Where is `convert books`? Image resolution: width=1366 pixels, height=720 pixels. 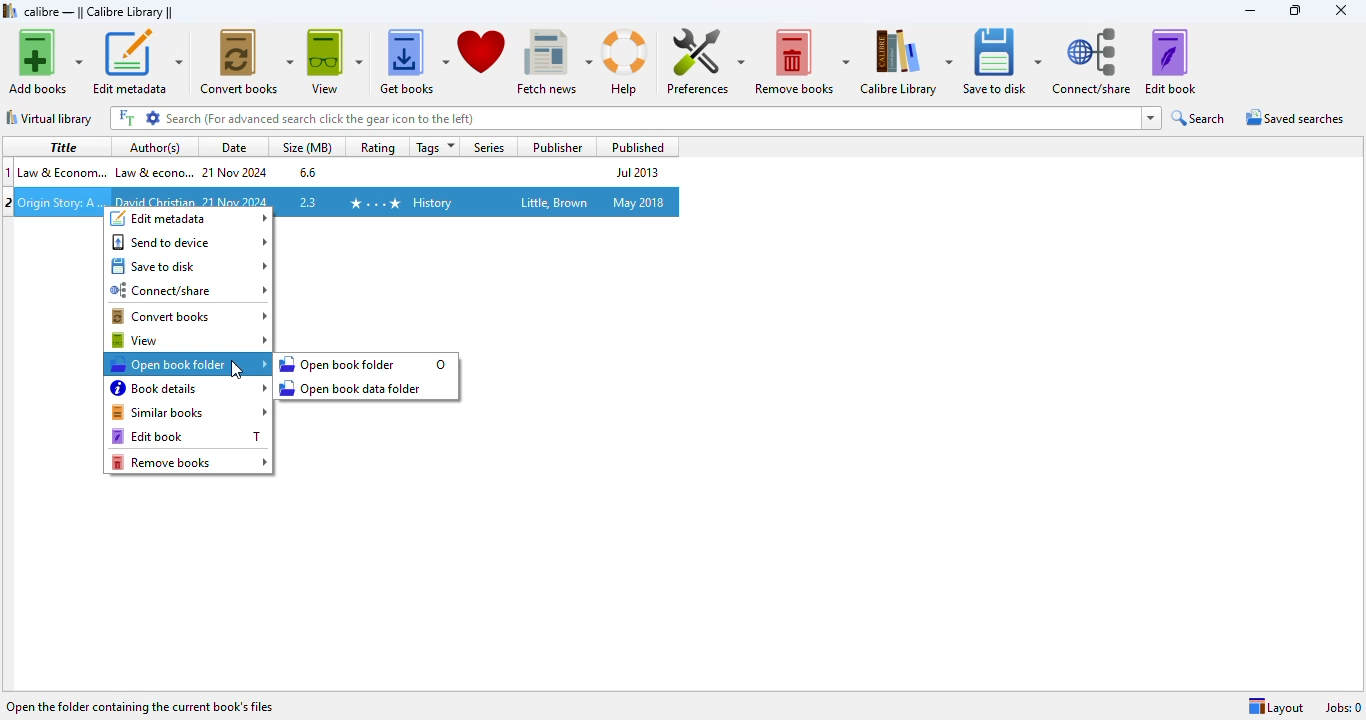 convert books is located at coordinates (247, 61).